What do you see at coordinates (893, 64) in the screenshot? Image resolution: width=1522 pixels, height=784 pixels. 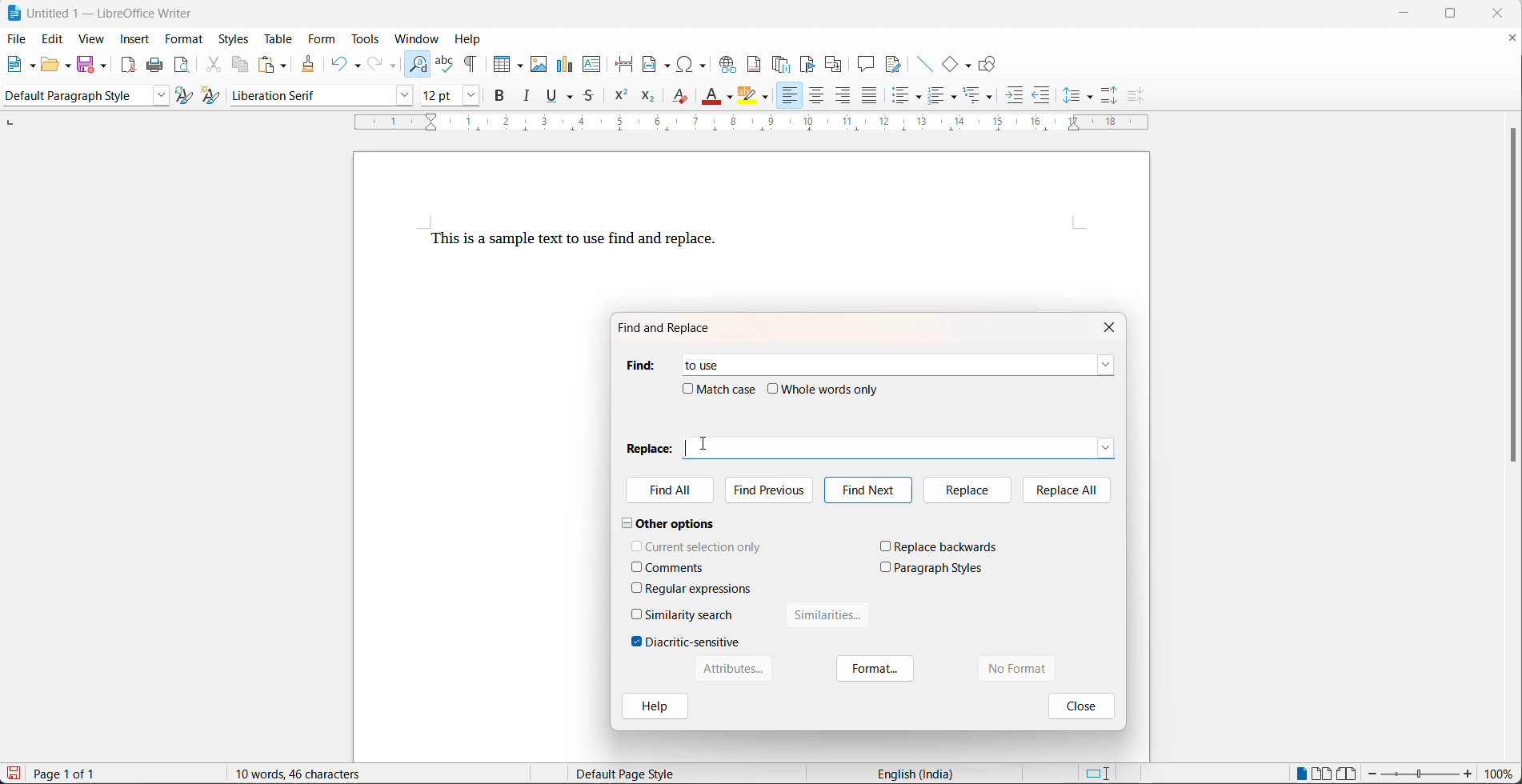 I see `show track changes functions` at bounding box center [893, 64].